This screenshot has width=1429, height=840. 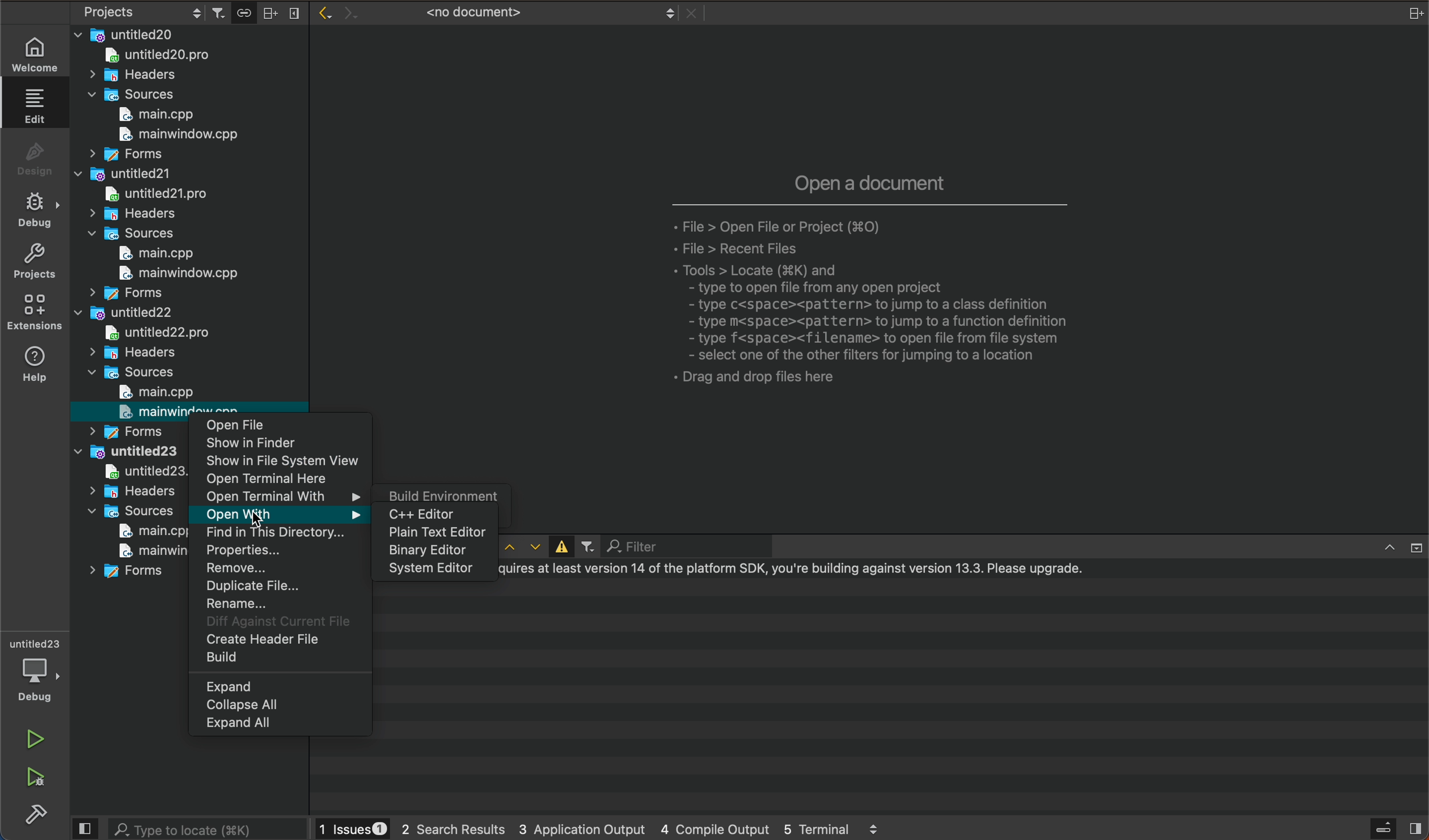 I want to click on edit, so click(x=36, y=109).